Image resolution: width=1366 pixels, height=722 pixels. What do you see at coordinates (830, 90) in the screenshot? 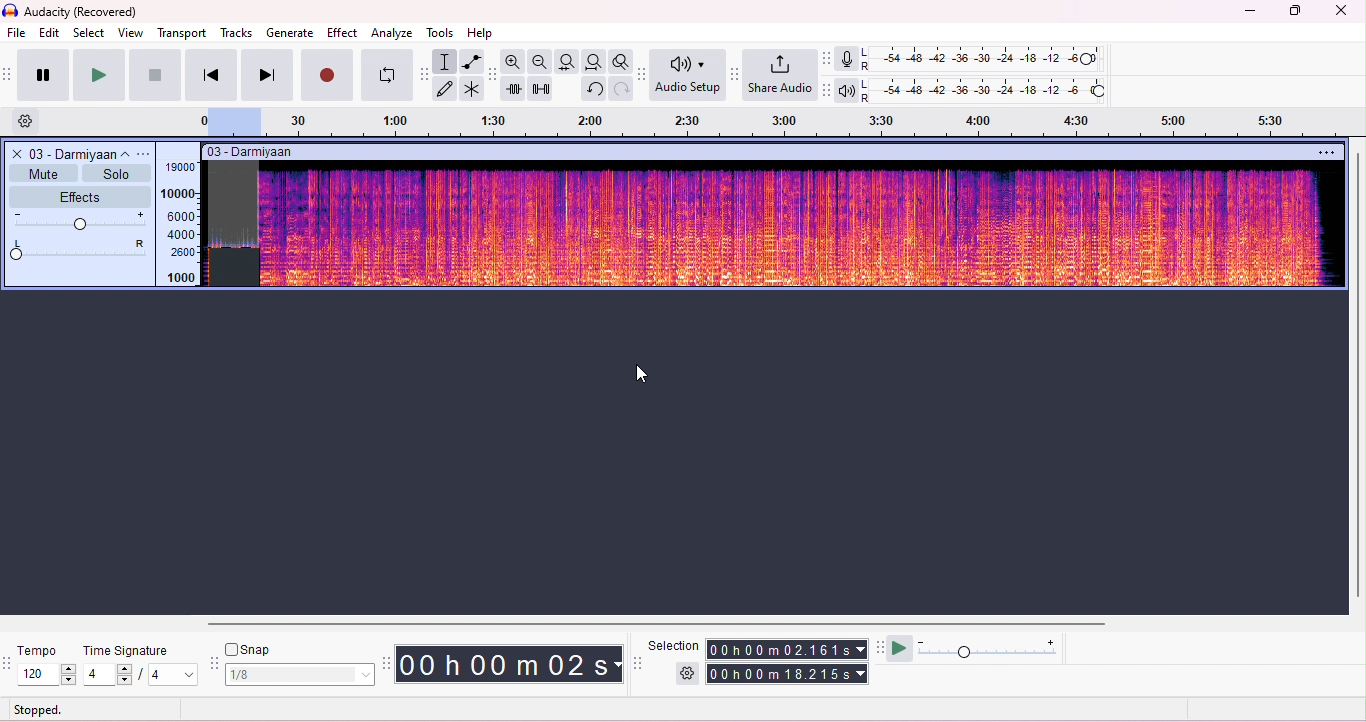
I see `playback meter toolbar` at bounding box center [830, 90].